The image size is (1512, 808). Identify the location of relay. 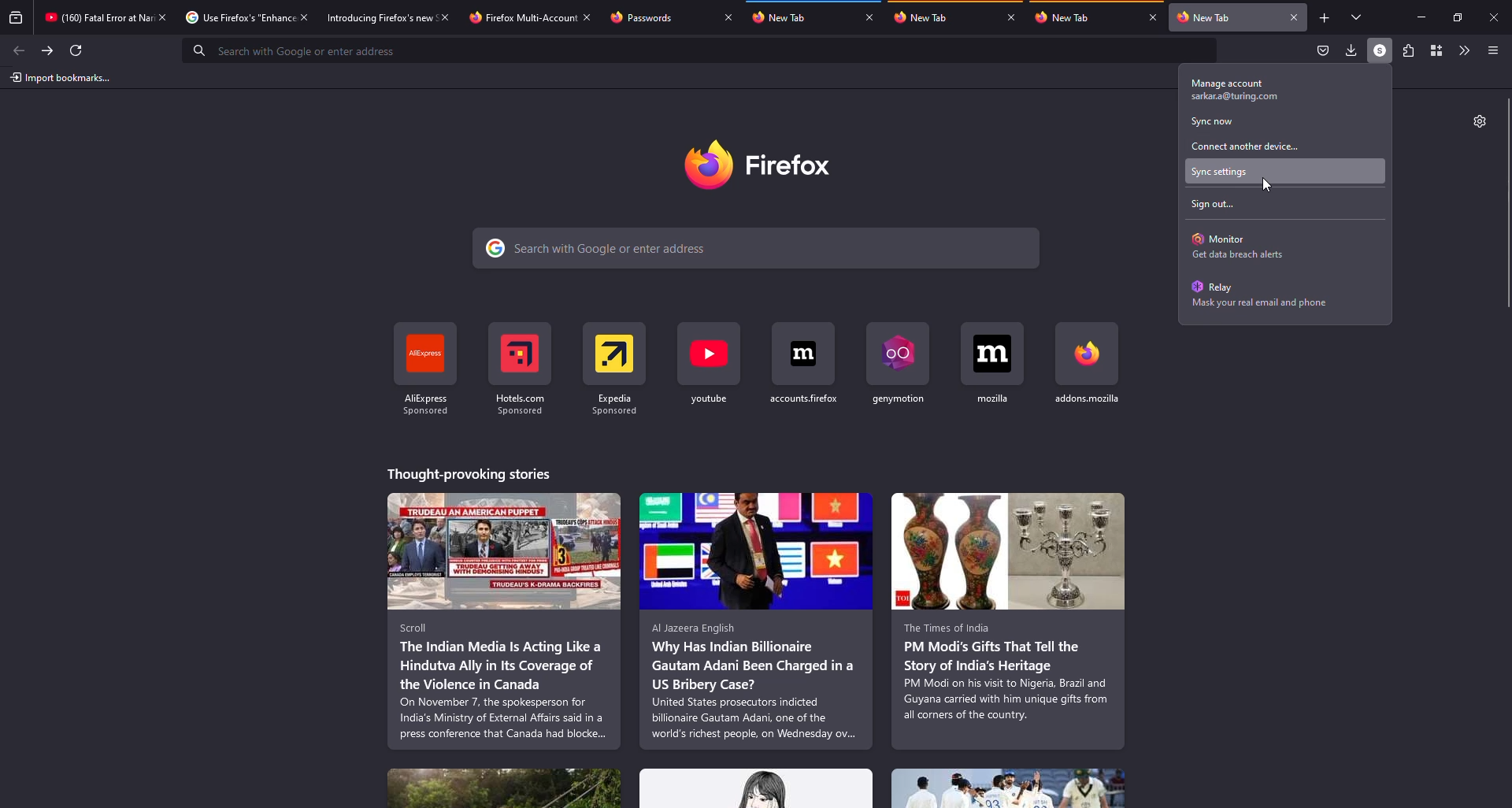
(1283, 292).